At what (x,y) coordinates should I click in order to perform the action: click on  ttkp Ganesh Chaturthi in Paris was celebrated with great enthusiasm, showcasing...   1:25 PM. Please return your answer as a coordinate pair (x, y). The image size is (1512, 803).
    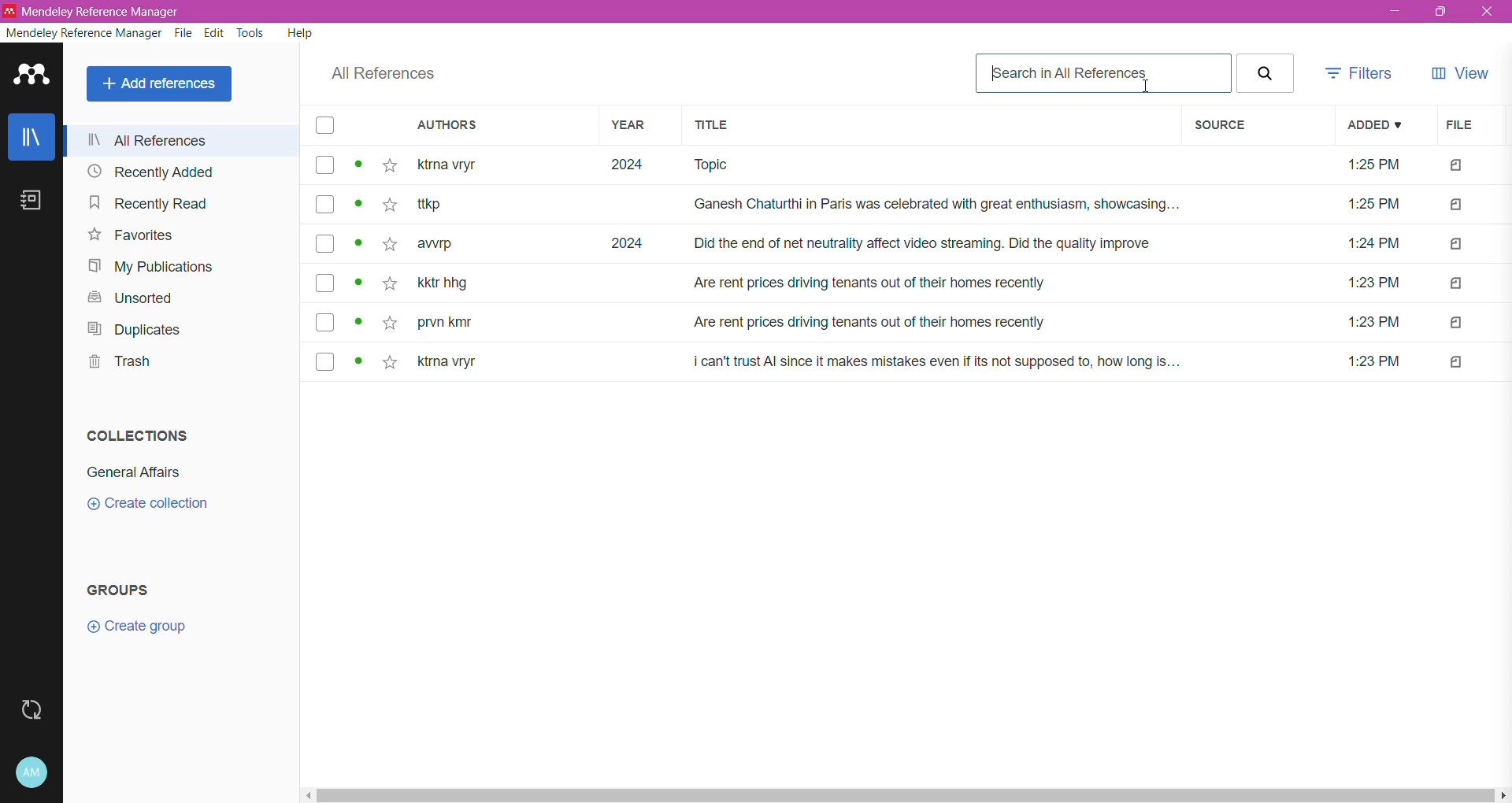
    Looking at the image, I should click on (915, 206).